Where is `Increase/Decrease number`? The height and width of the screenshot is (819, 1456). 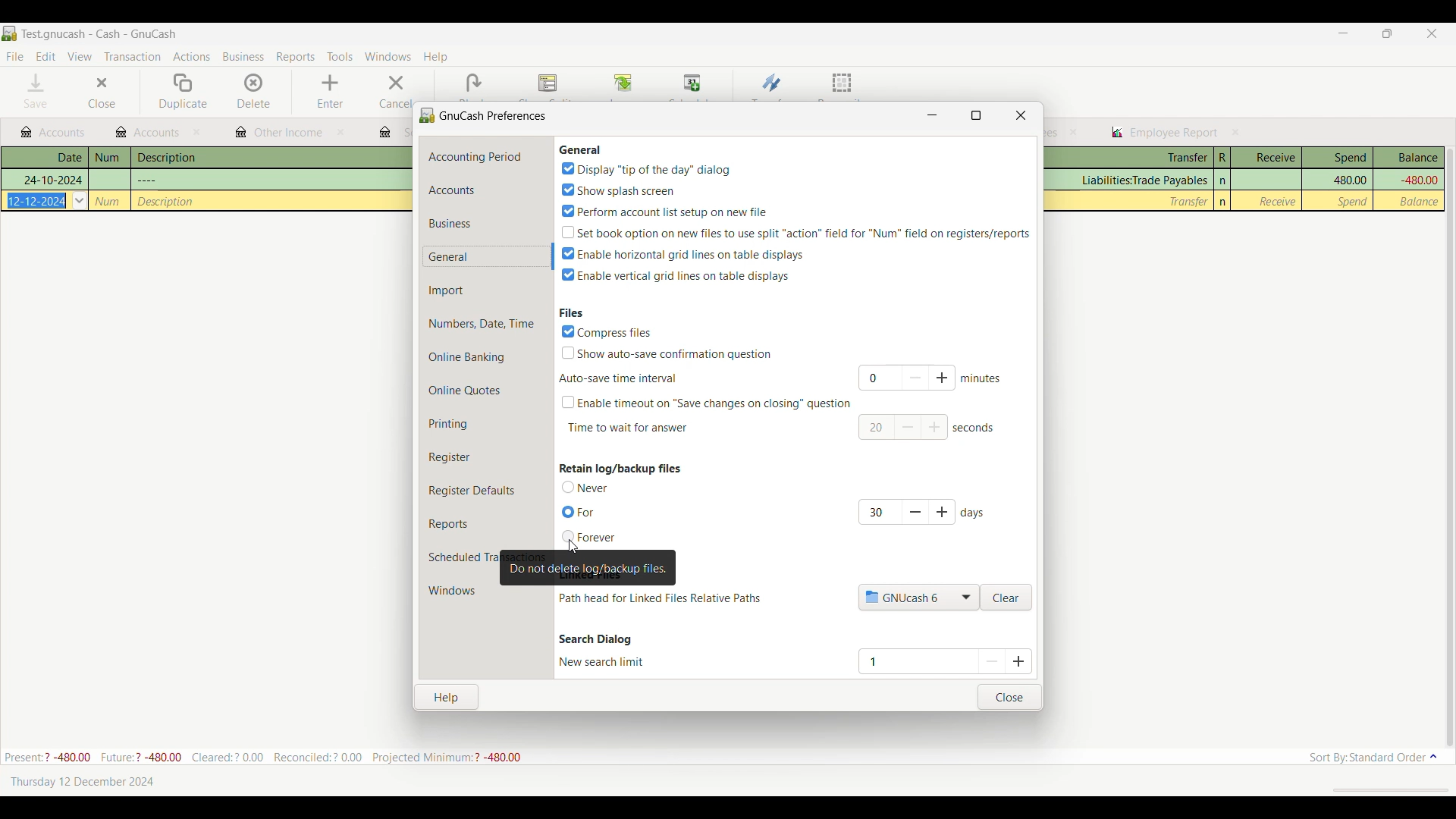 Increase/Decrease number is located at coordinates (1006, 661).